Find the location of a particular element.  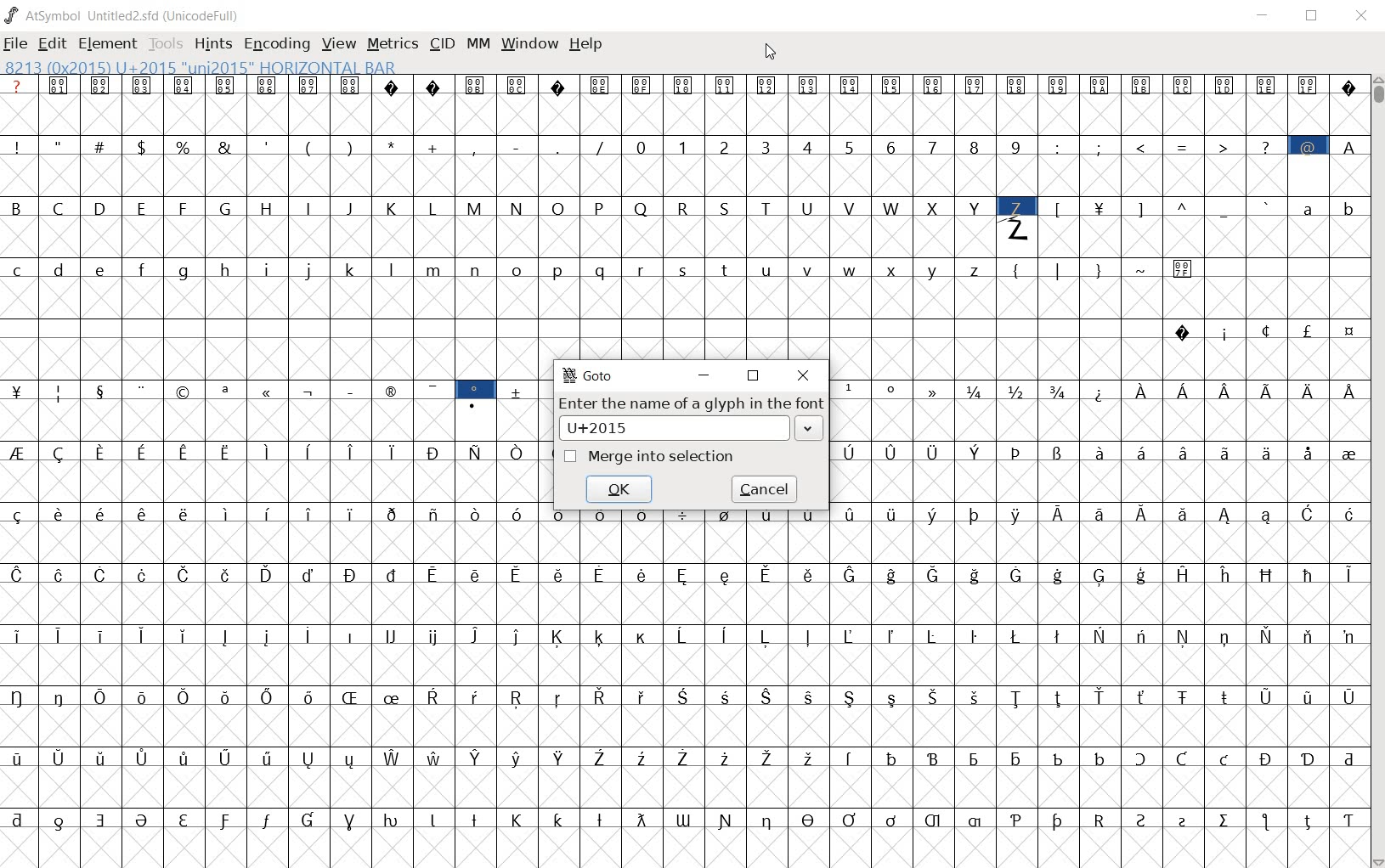

GLYPHS is located at coordinates (270, 468).